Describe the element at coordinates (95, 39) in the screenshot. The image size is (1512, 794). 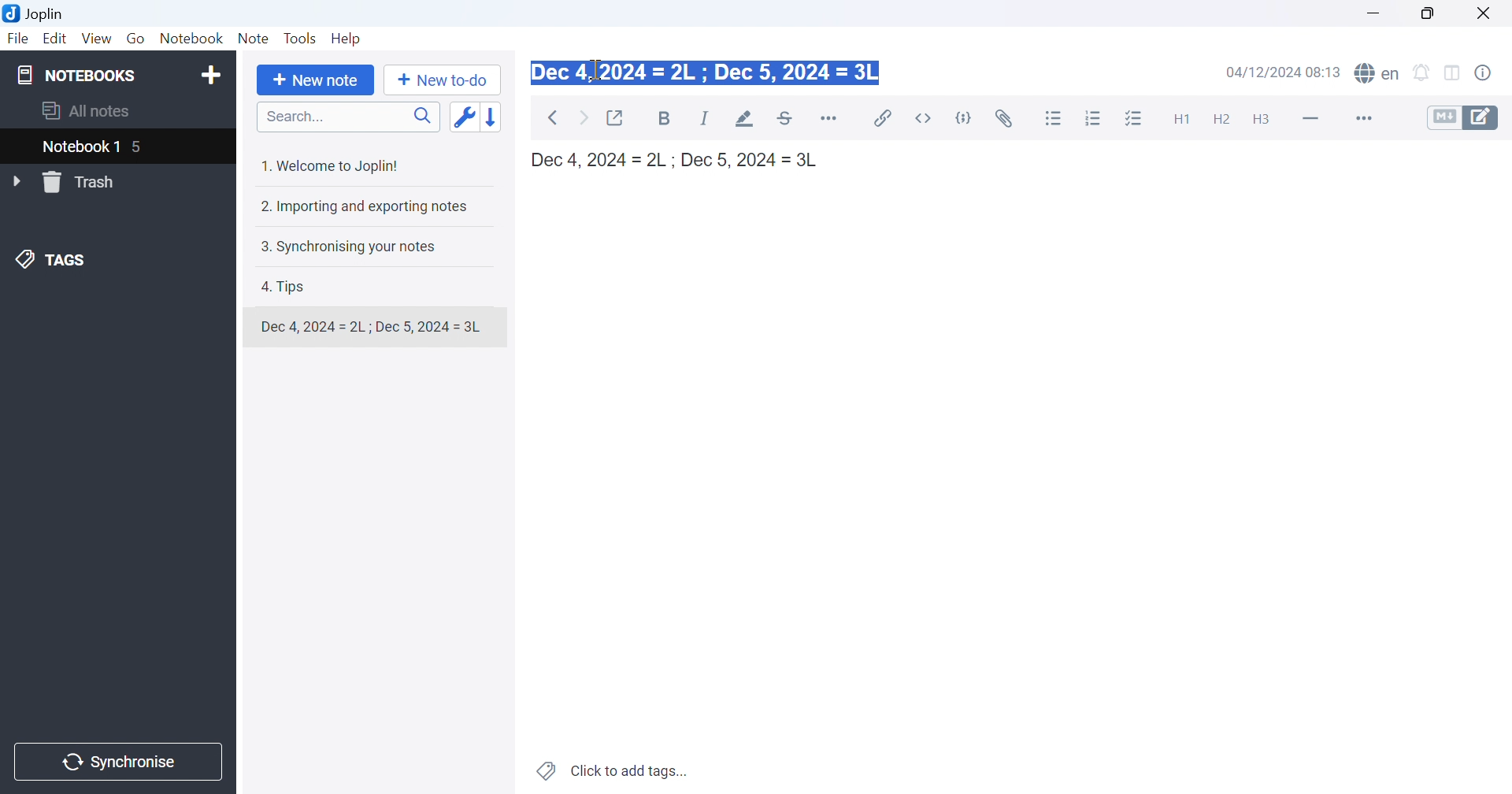
I see `View` at that location.